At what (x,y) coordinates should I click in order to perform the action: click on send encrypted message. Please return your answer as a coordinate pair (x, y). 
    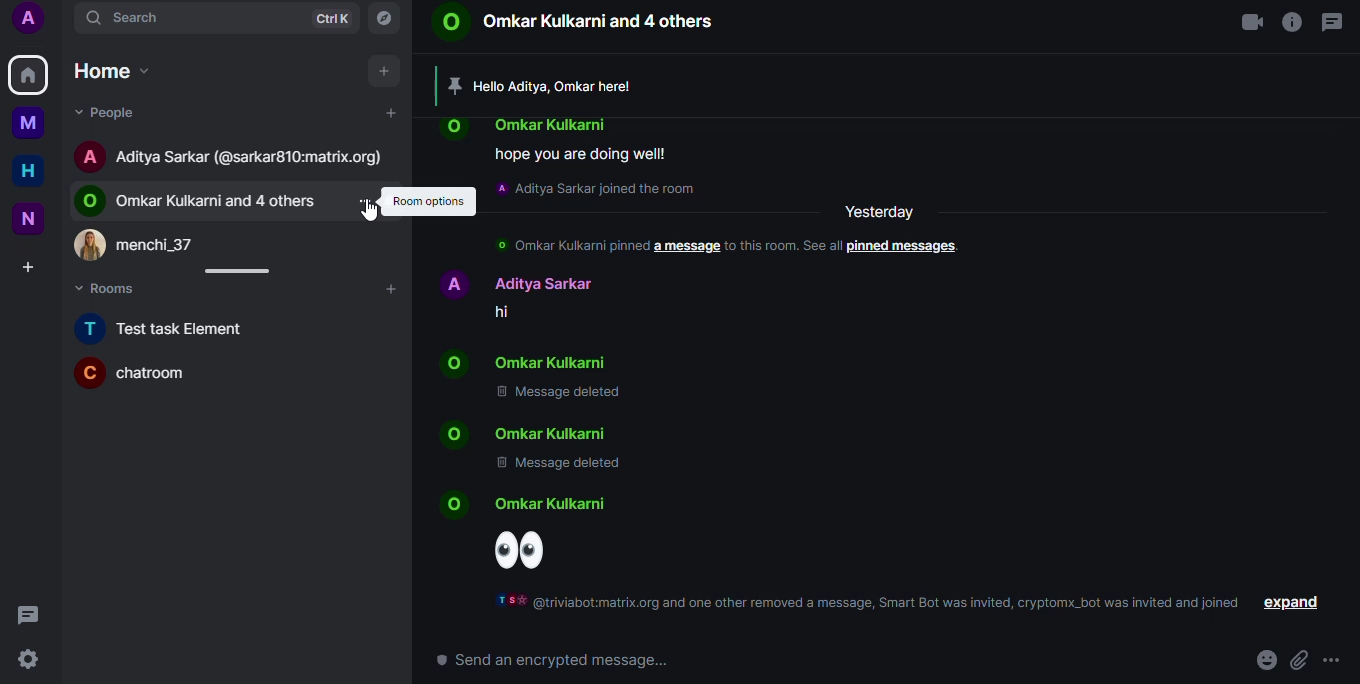
    Looking at the image, I should click on (542, 661).